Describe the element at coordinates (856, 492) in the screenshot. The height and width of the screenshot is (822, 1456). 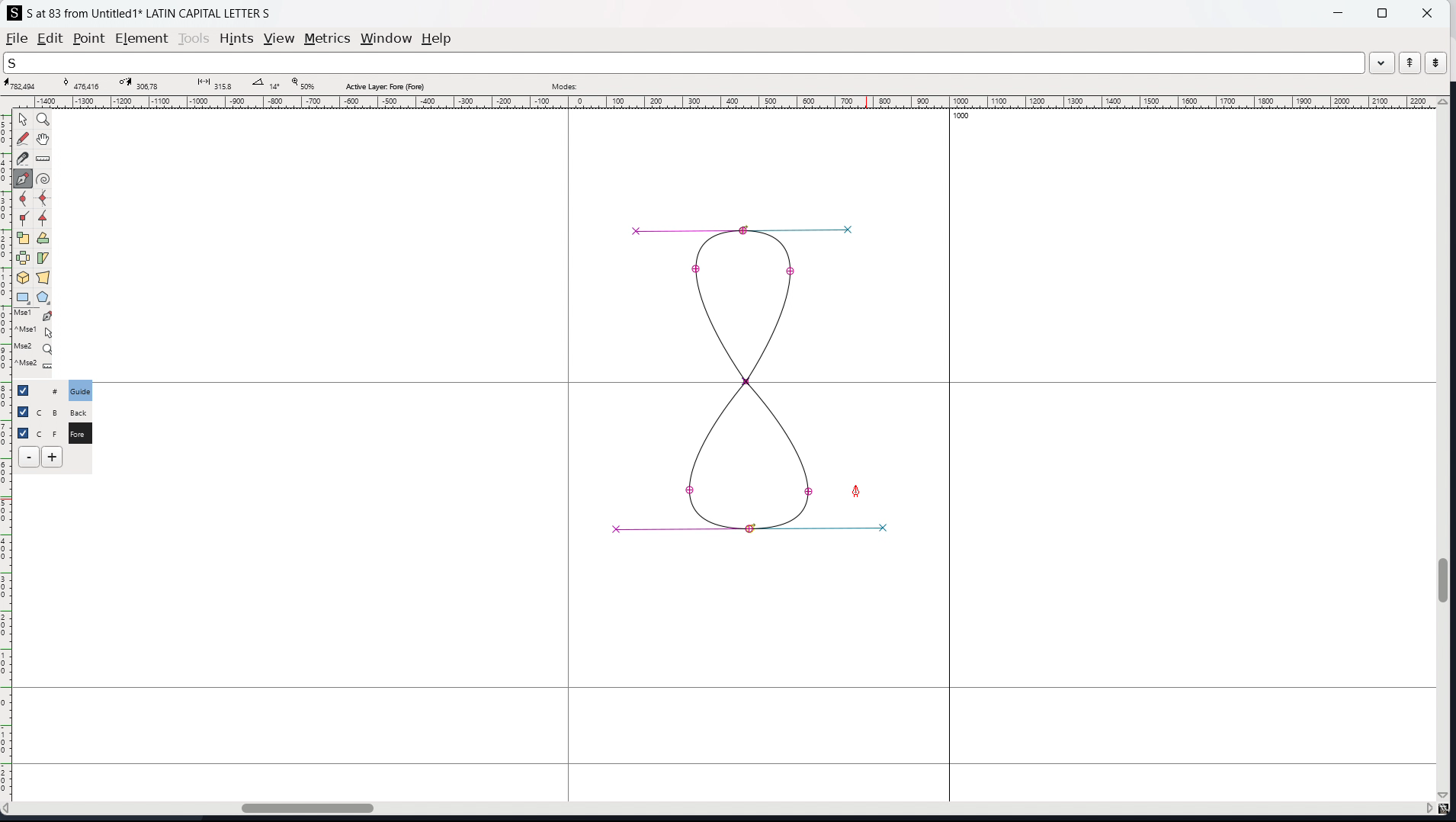
I see `cursor` at that location.